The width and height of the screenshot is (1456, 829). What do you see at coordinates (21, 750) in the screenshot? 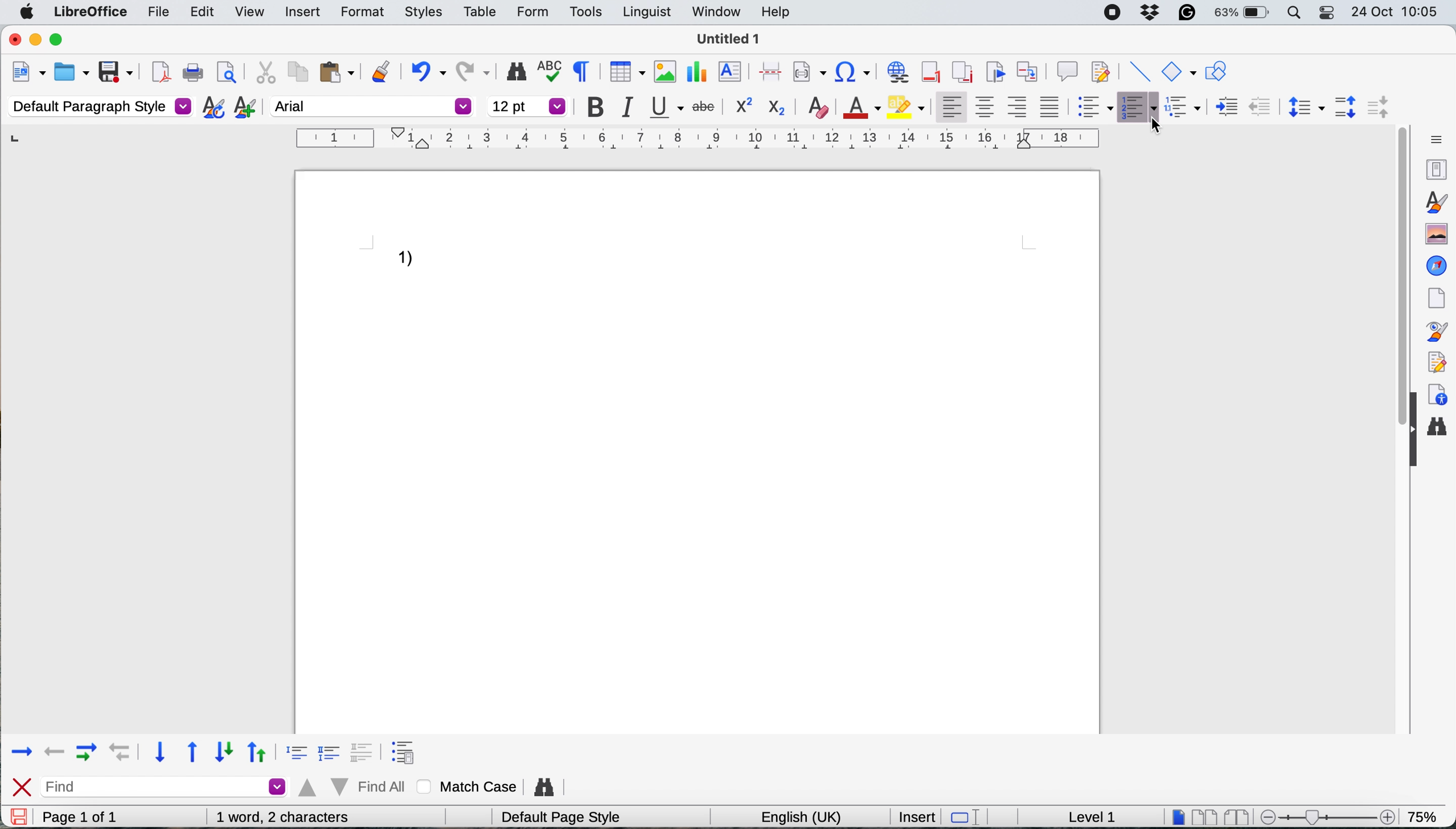
I see `forward` at bounding box center [21, 750].